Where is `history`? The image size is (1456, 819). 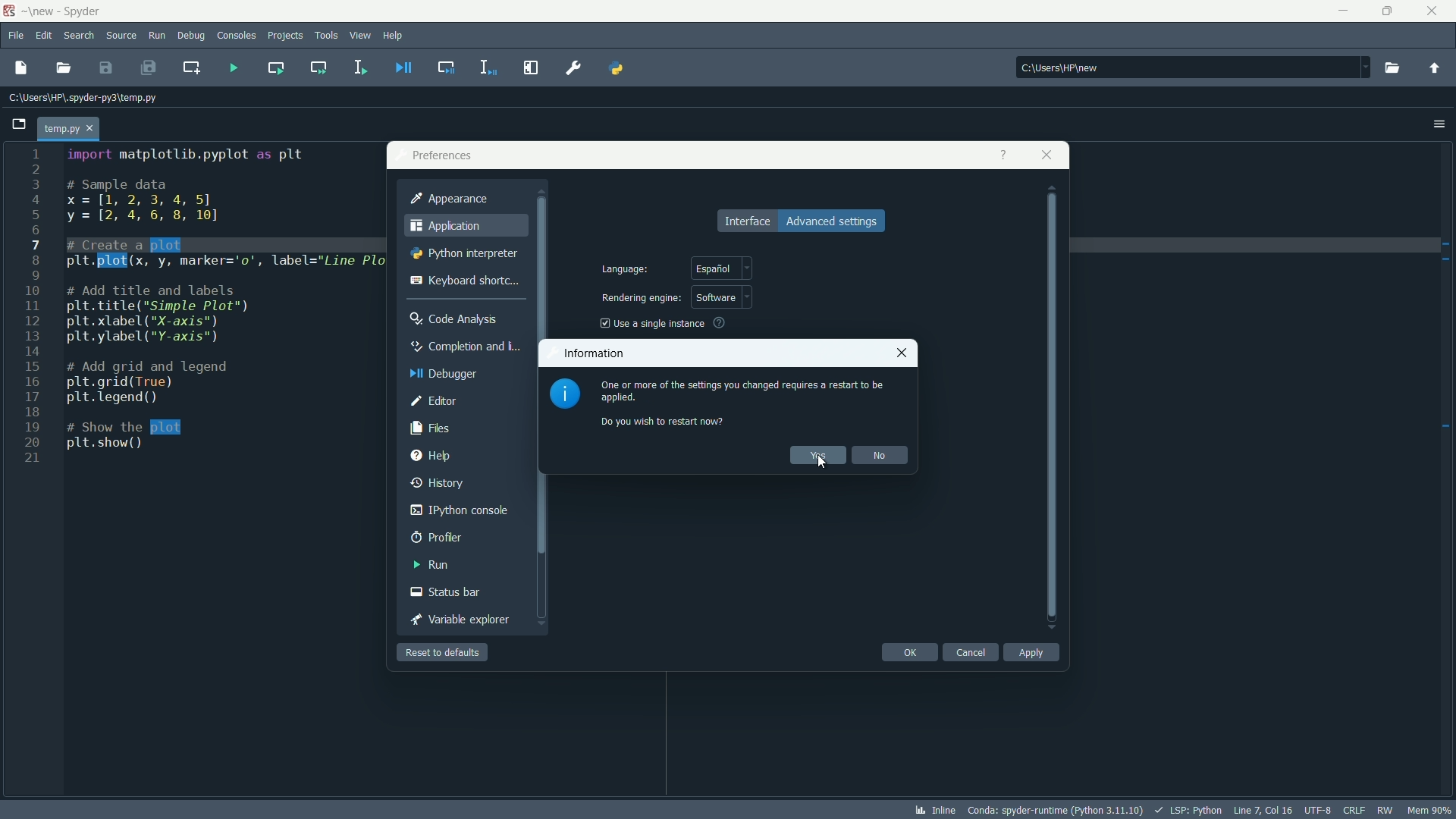
history is located at coordinates (439, 484).